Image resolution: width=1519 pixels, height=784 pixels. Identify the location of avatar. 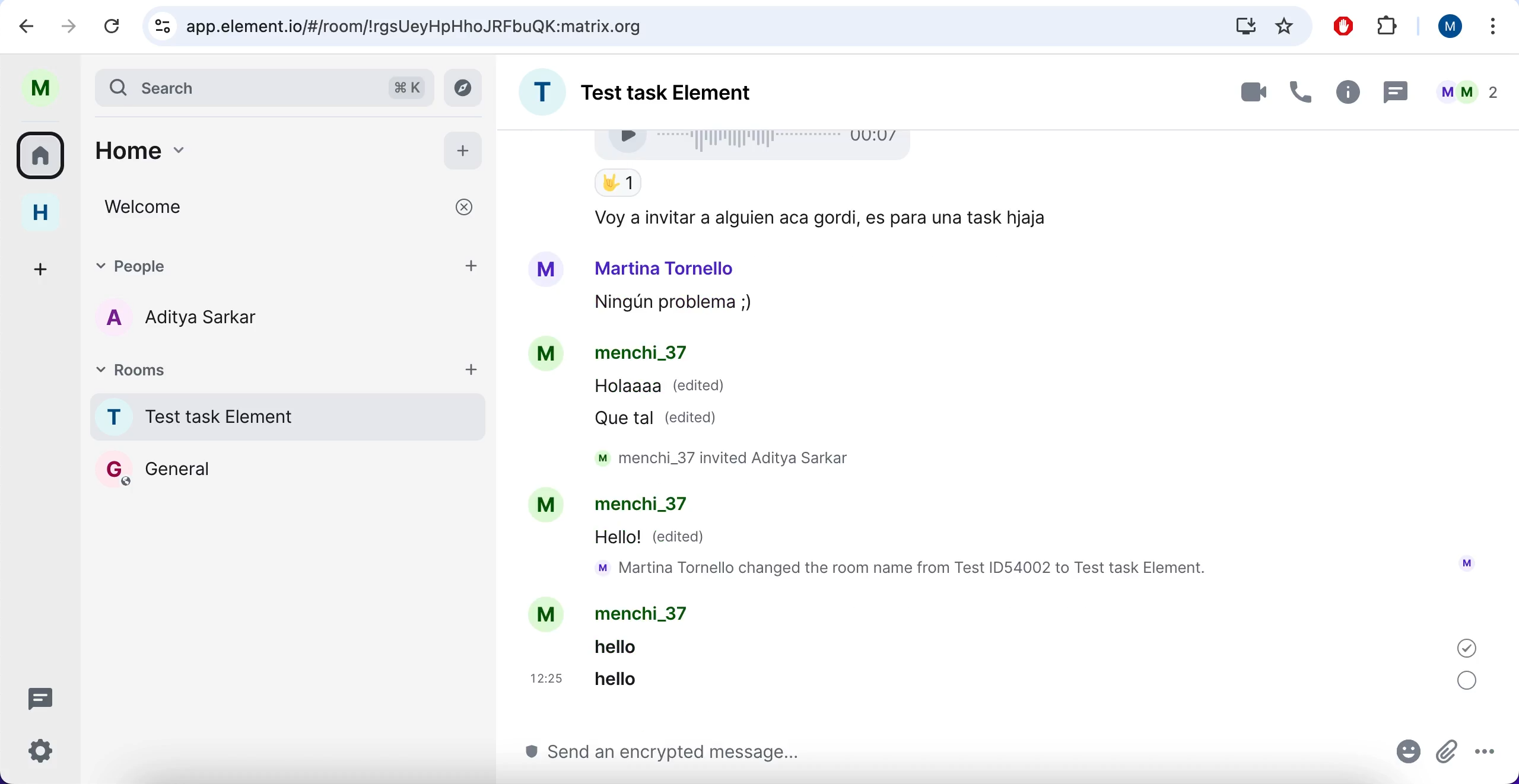
(1467, 562).